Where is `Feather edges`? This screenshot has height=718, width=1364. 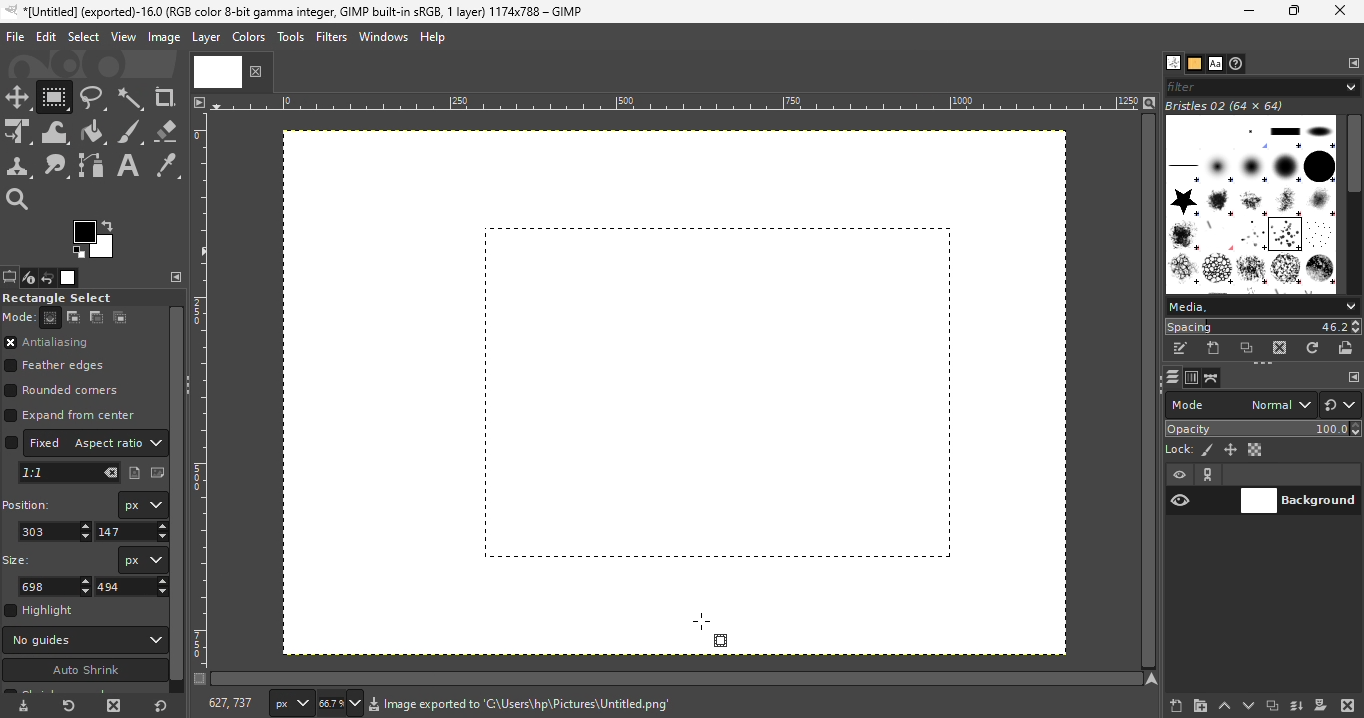 Feather edges is located at coordinates (68, 367).